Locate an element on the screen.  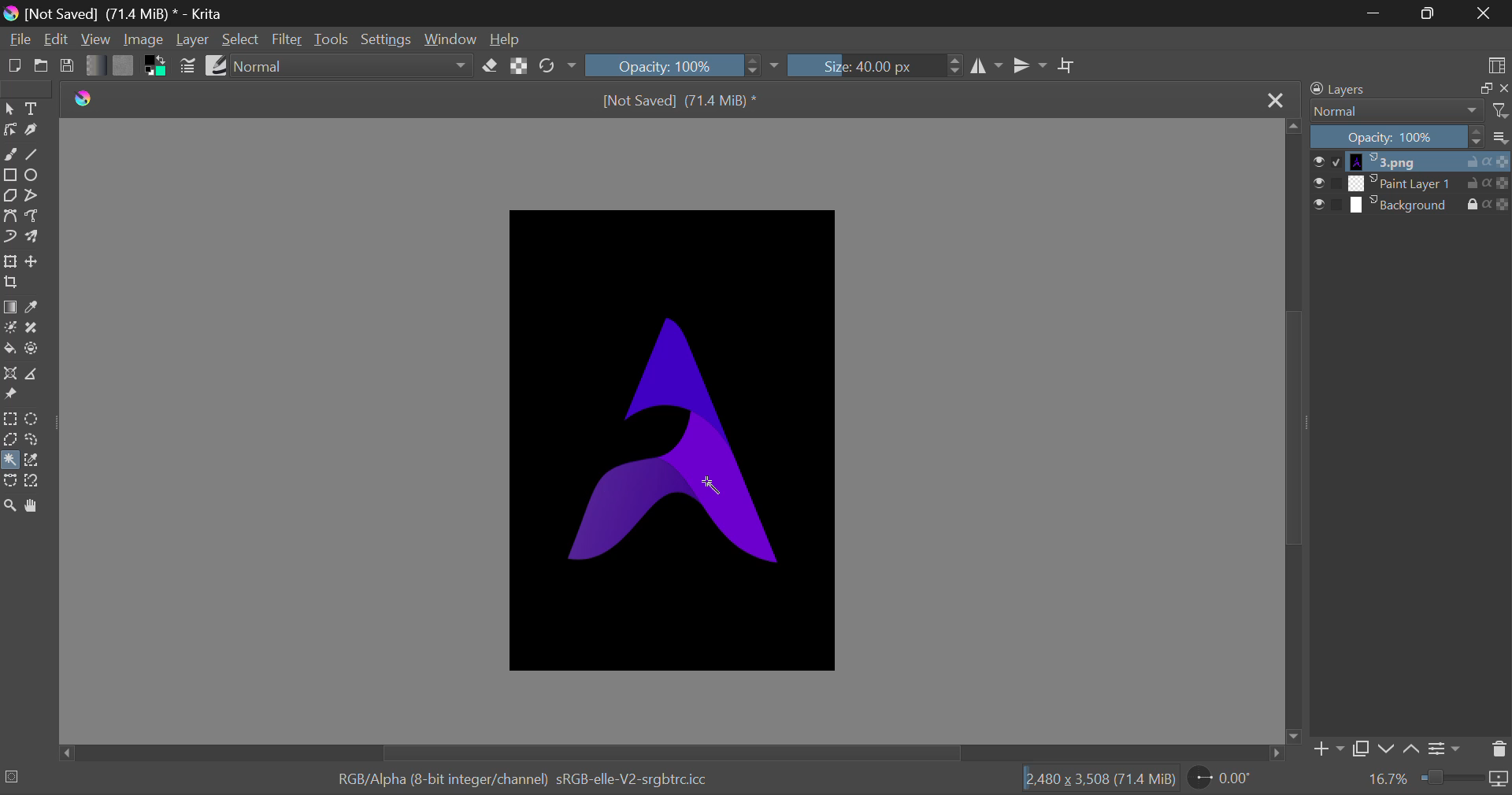
Settings is located at coordinates (384, 39).